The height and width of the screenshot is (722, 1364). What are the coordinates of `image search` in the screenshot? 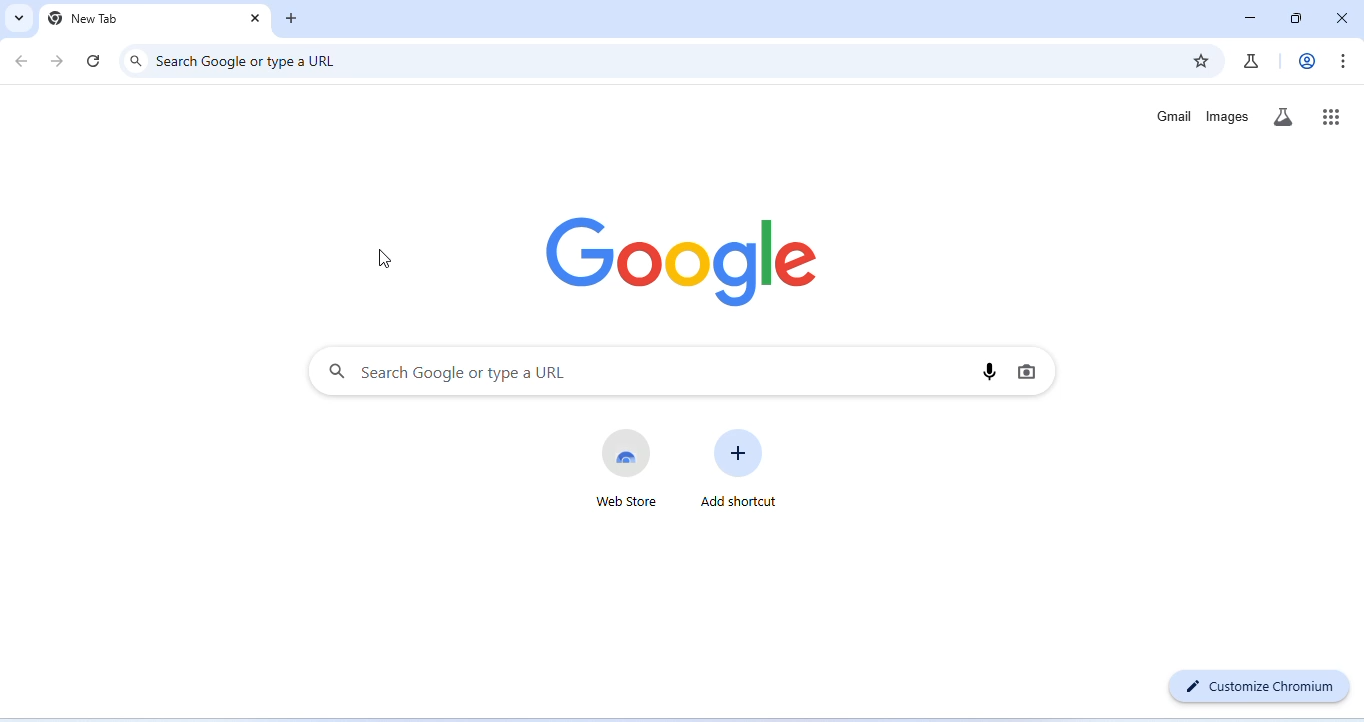 It's located at (1026, 370).